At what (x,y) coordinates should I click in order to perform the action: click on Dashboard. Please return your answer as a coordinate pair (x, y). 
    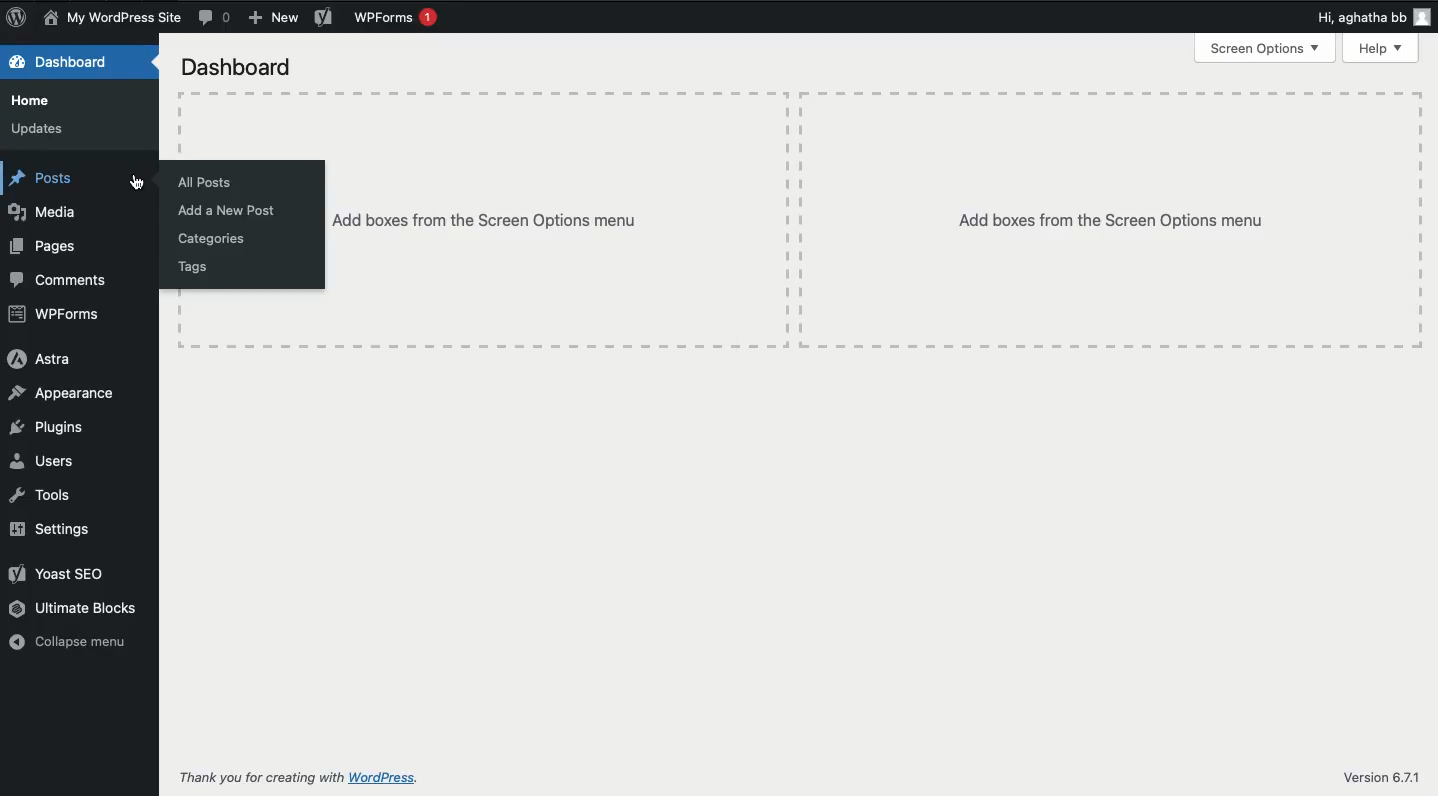
    Looking at the image, I should click on (238, 69).